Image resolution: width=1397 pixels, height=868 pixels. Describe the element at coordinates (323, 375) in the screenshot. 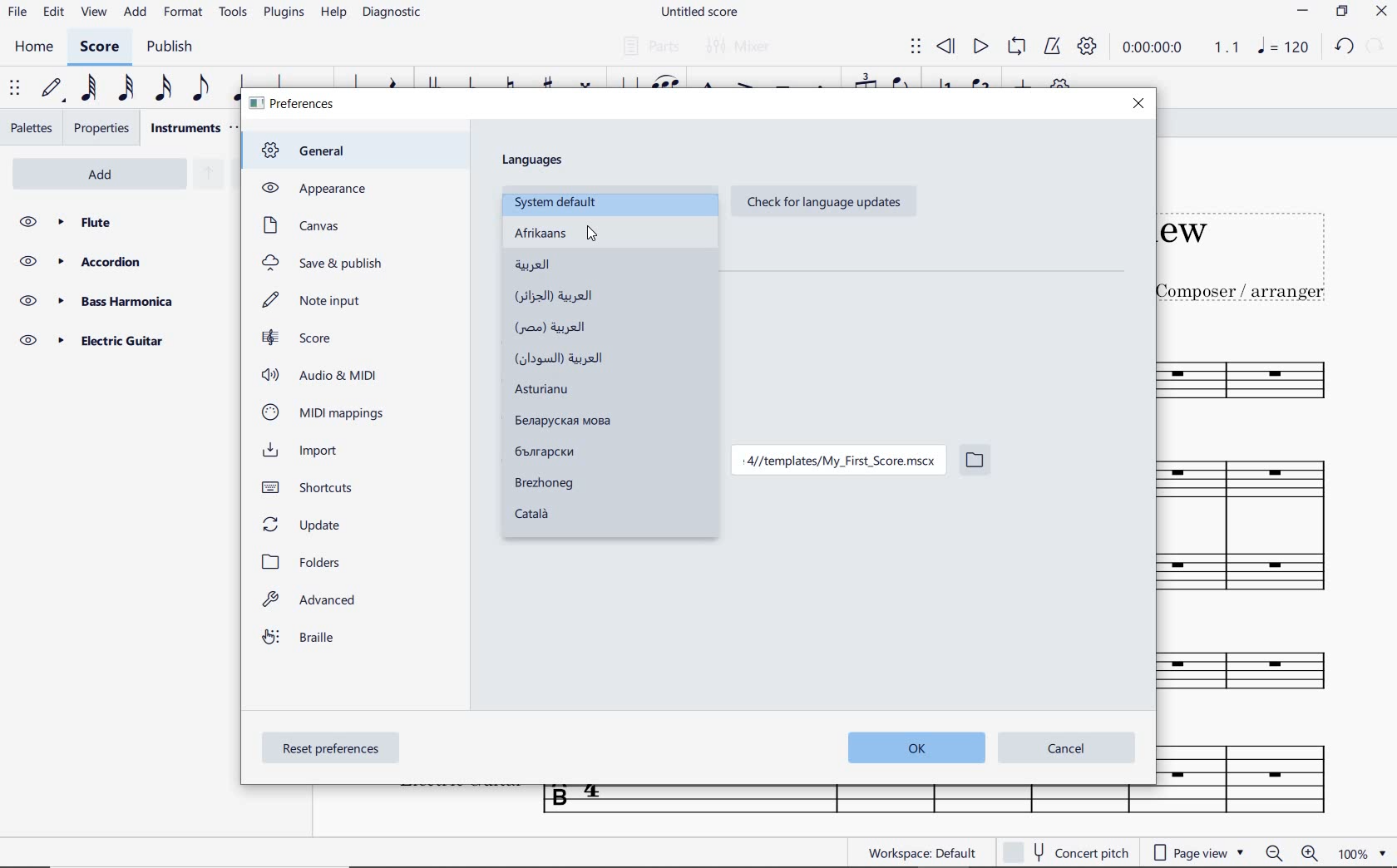

I see `audio & MIDI` at that location.